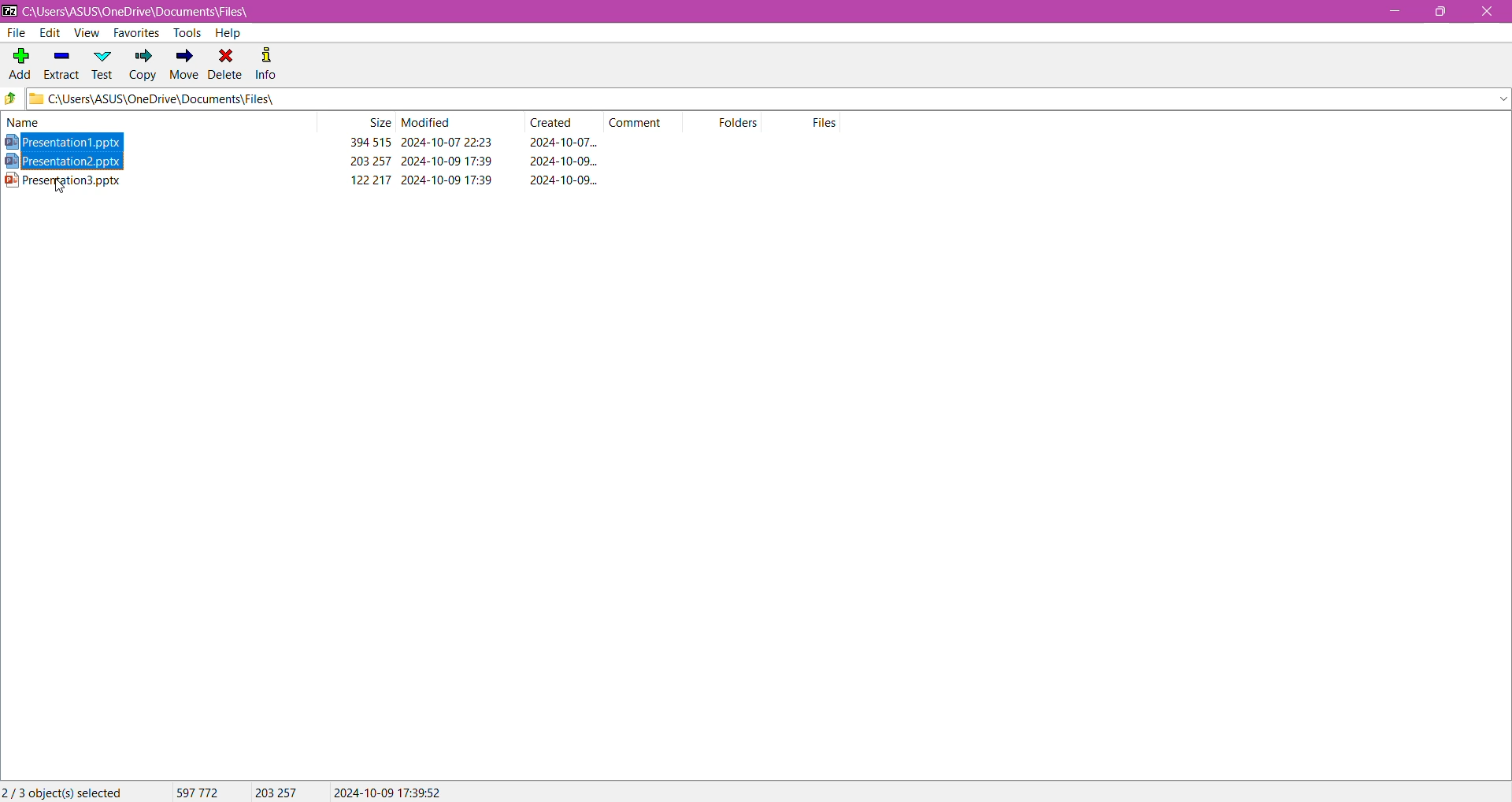 The image size is (1512, 802). Describe the element at coordinates (387, 791) in the screenshot. I see `2024-10-07 17:39:52` at that location.